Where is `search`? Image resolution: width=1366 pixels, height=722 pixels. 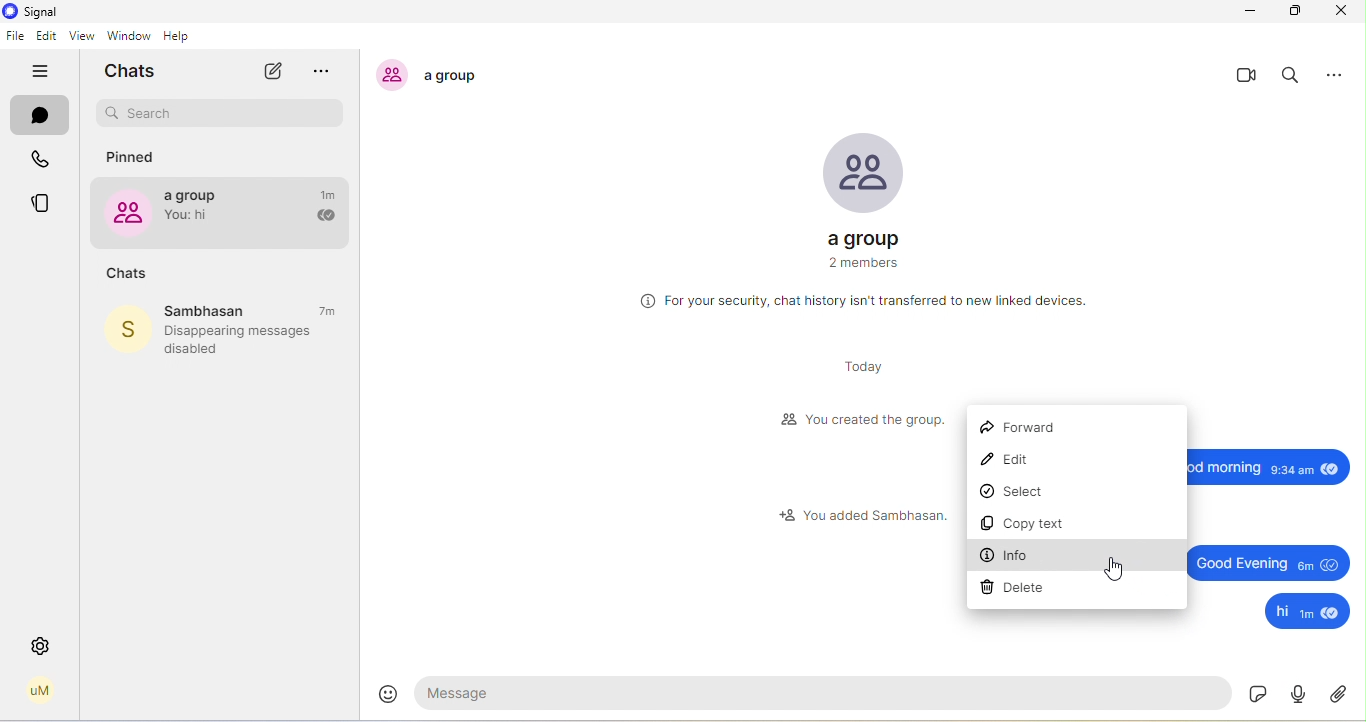 search is located at coordinates (1293, 77).